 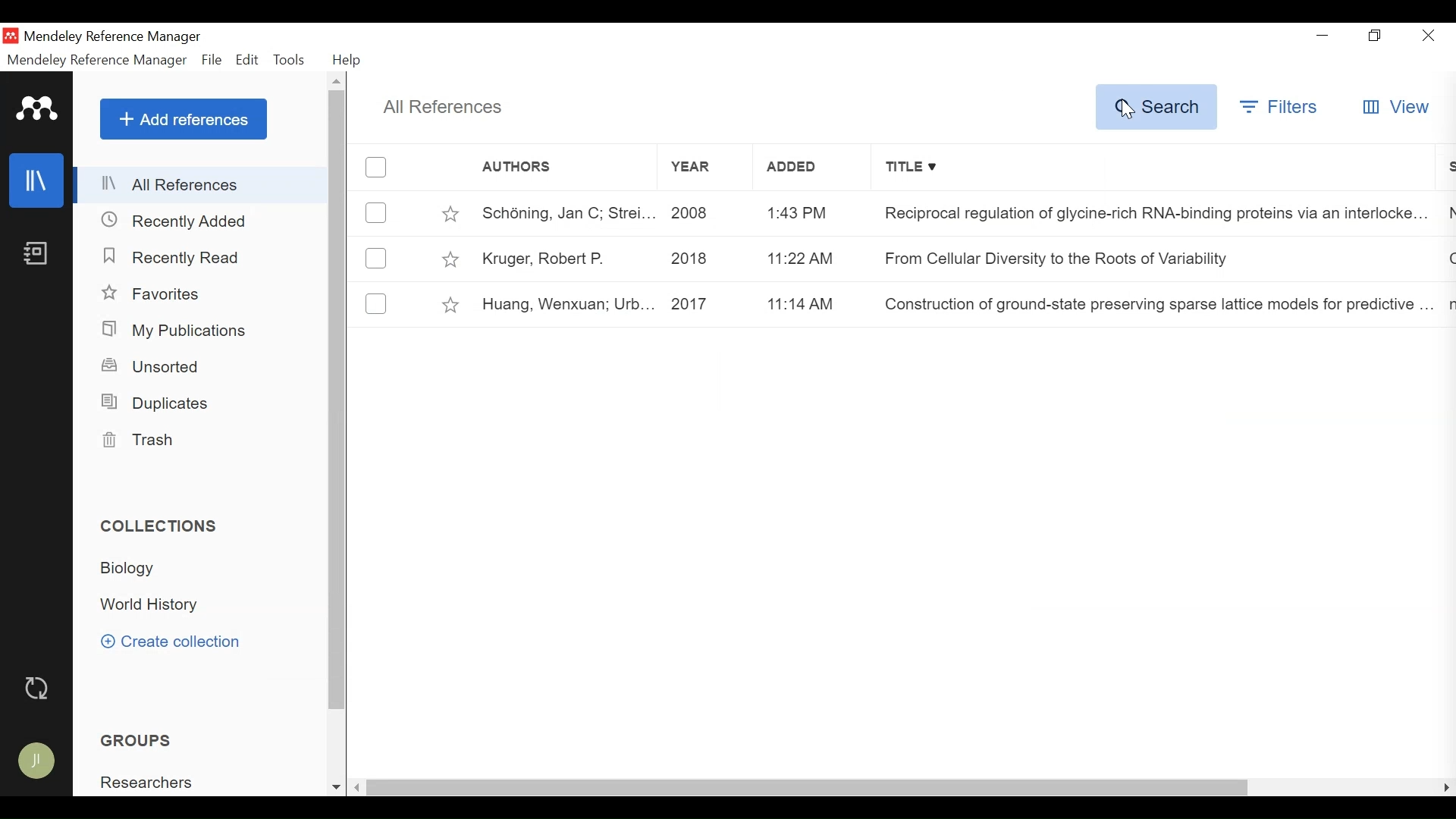 What do you see at coordinates (377, 168) in the screenshot?
I see `(un)select` at bounding box center [377, 168].